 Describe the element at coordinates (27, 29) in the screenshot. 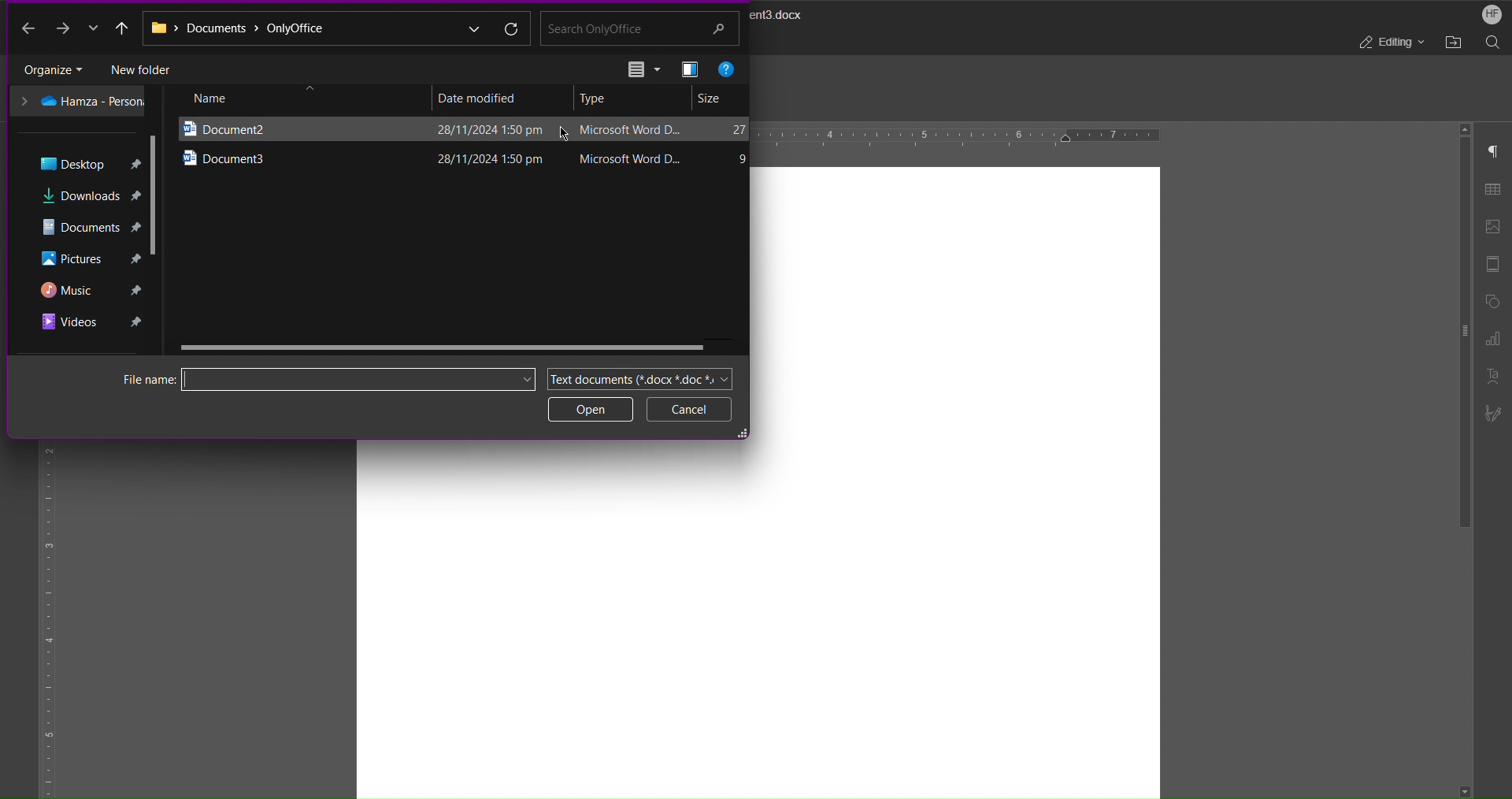

I see `Back` at that location.